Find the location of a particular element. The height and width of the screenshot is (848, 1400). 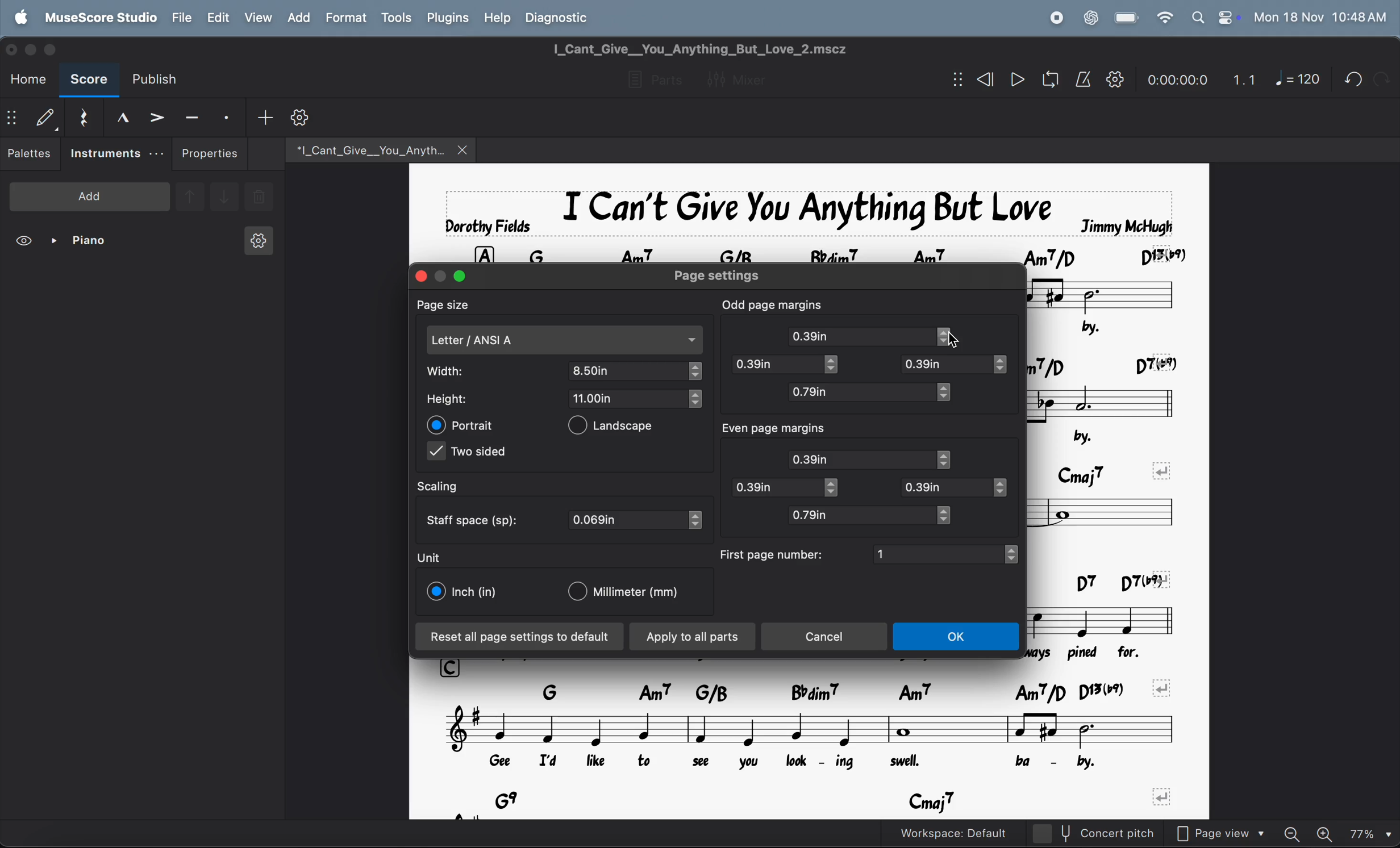

tools is located at coordinates (396, 19).